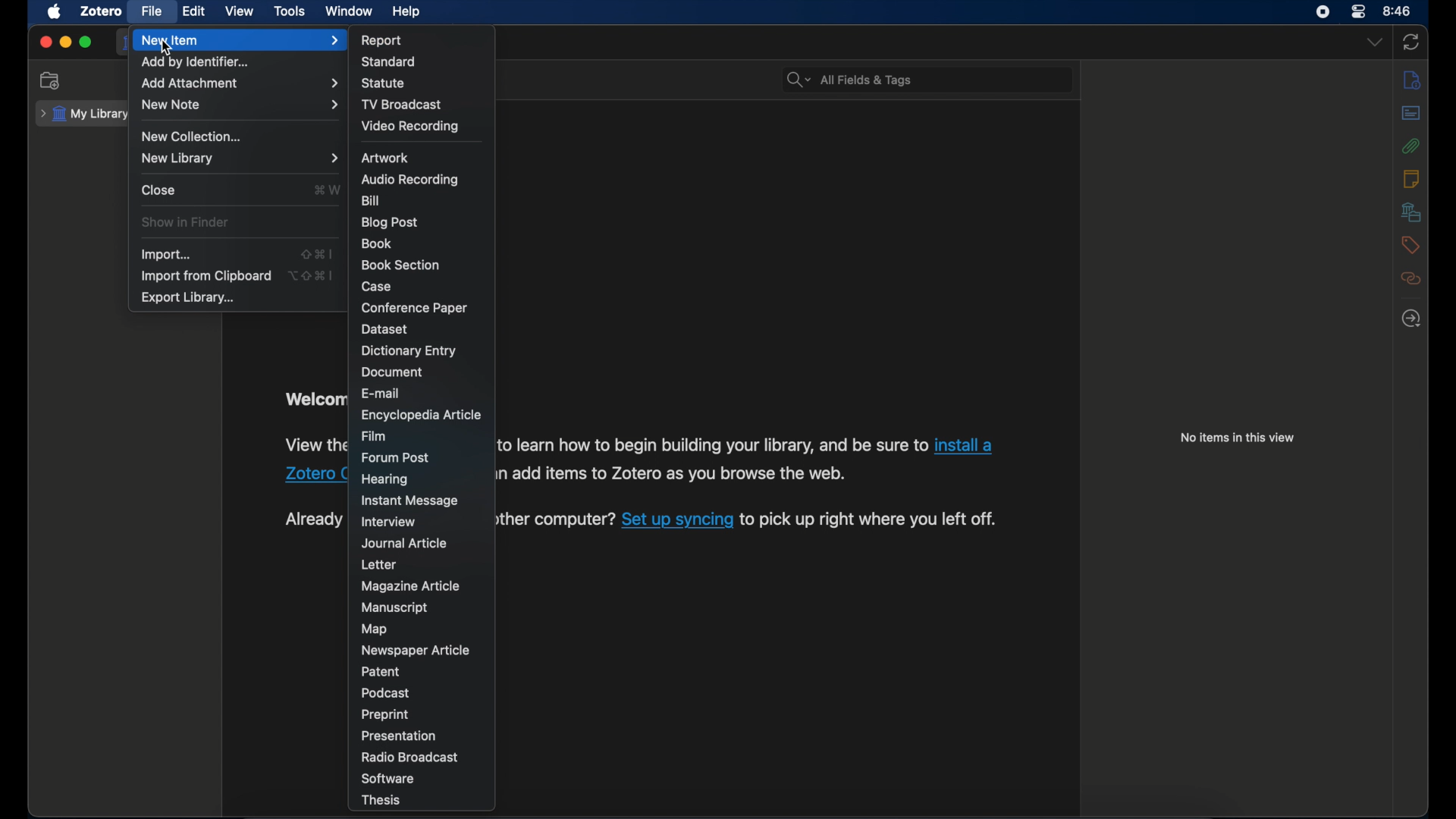 Image resolution: width=1456 pixels, height=819 pixels. I want to click on time, so click(1398, 10).